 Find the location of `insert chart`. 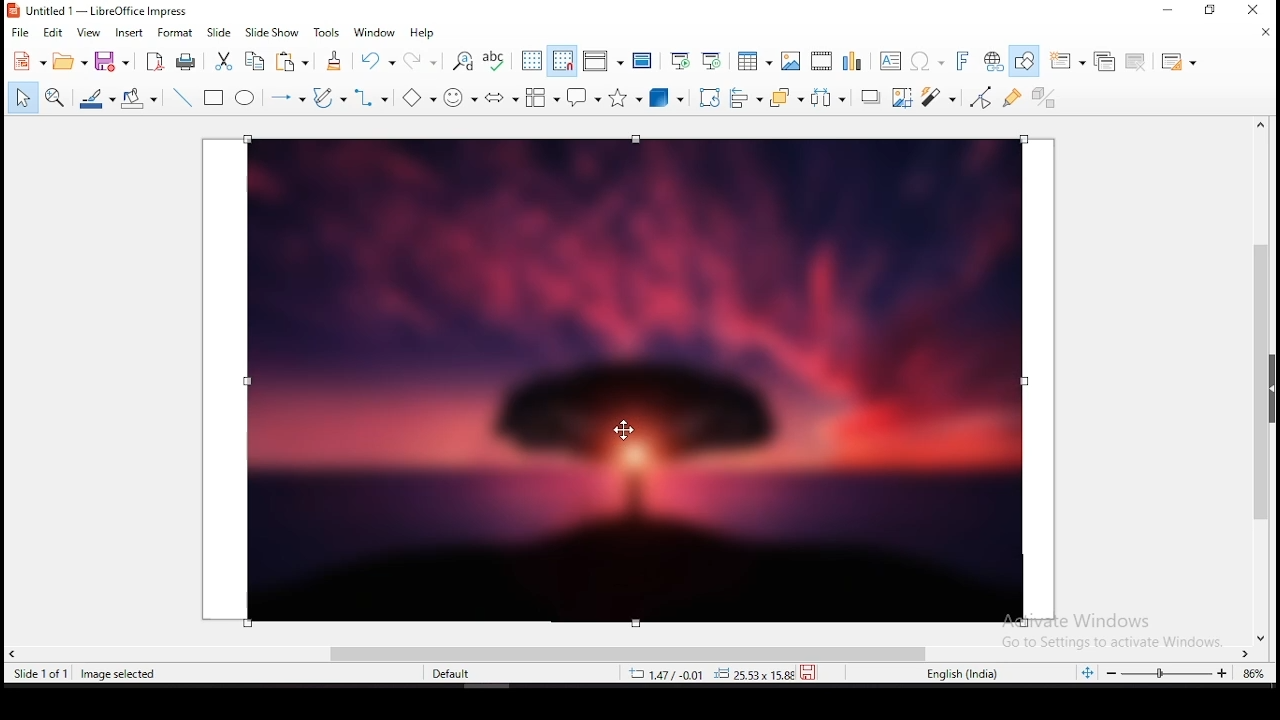

insert chart is located at coordinates (851, 62).